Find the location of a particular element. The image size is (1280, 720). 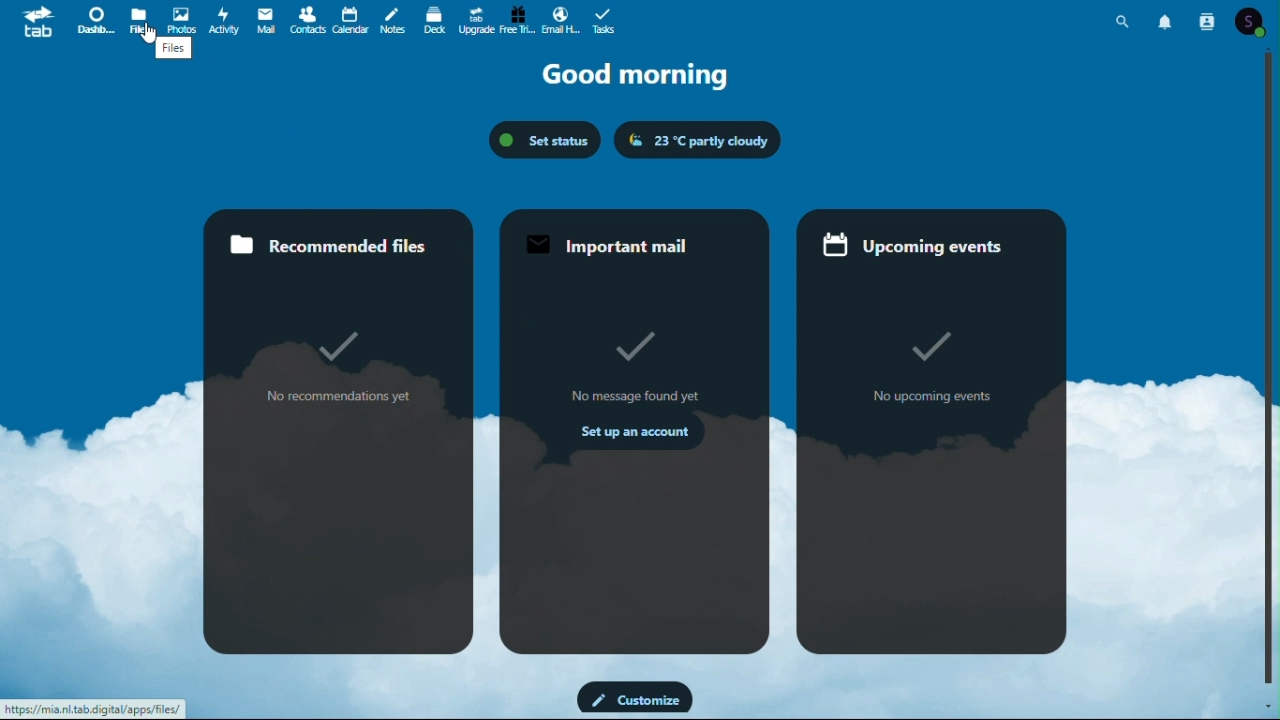

files is located at coordinates (139, 19).